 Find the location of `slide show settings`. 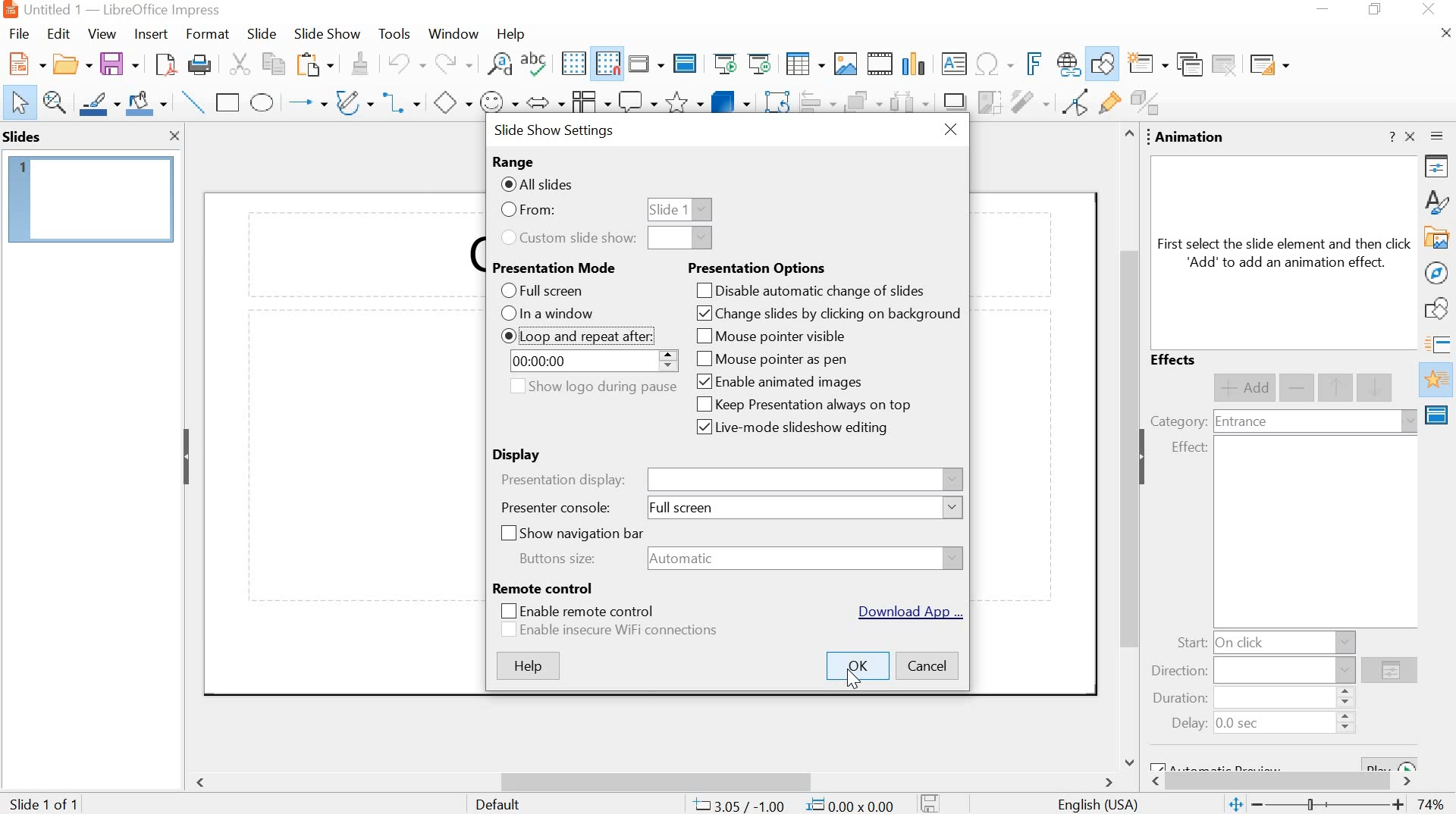

slide show settings is located at coordinates (557, 131).